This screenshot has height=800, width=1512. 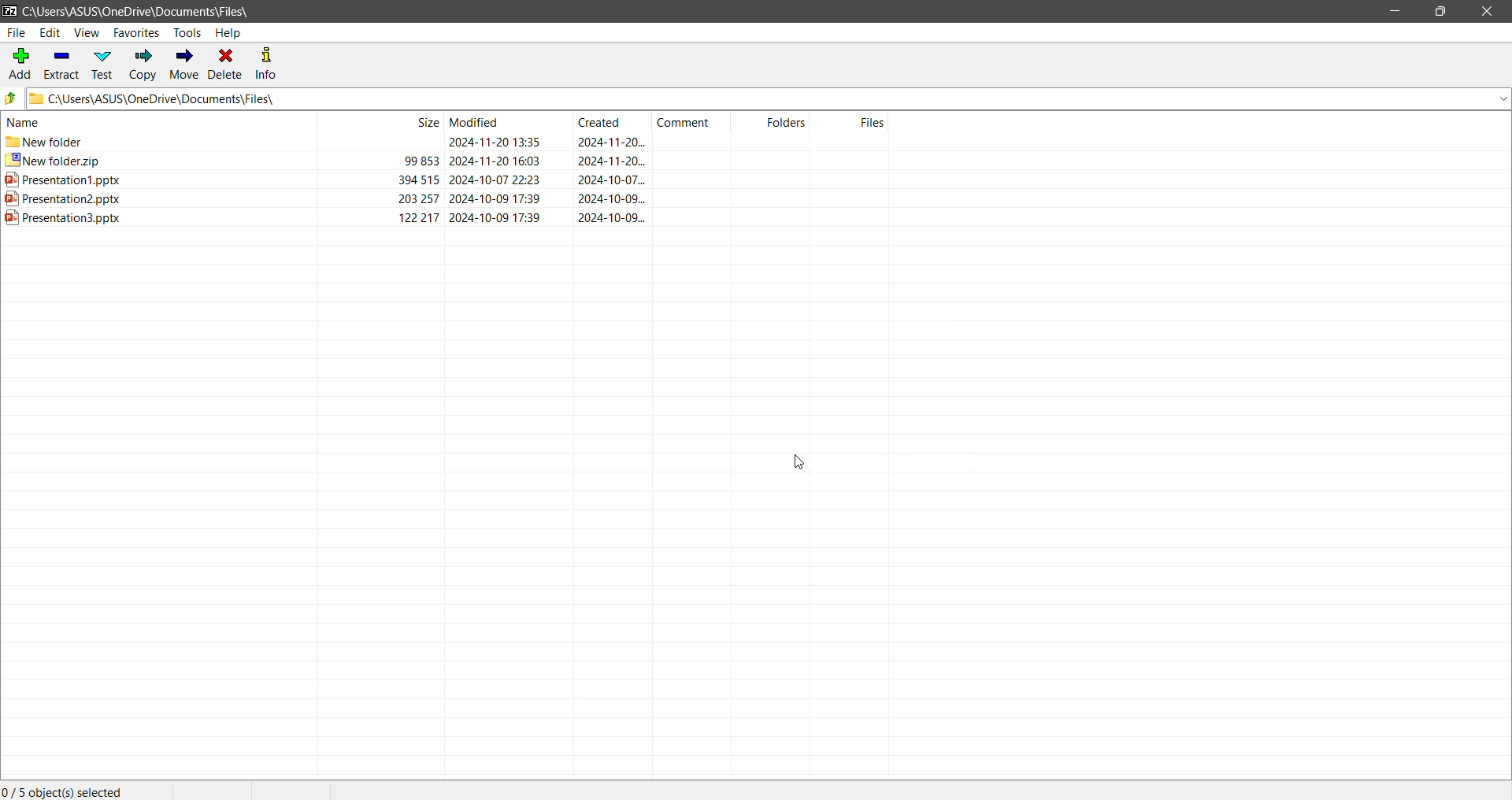 What do you see at coordinates (381, 122) in the screenshot?
I see `File Sizes` at bounding box center [381, 122].